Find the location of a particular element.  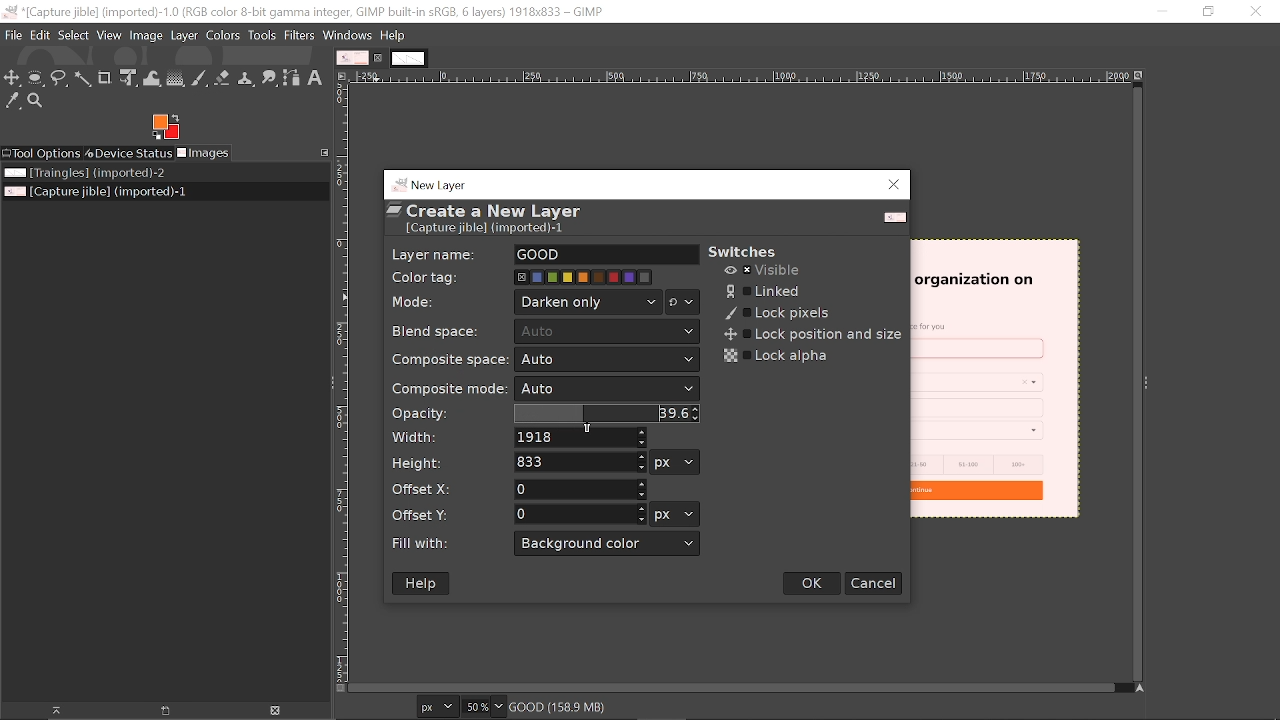

Current window is located at coordinates (303, 11).